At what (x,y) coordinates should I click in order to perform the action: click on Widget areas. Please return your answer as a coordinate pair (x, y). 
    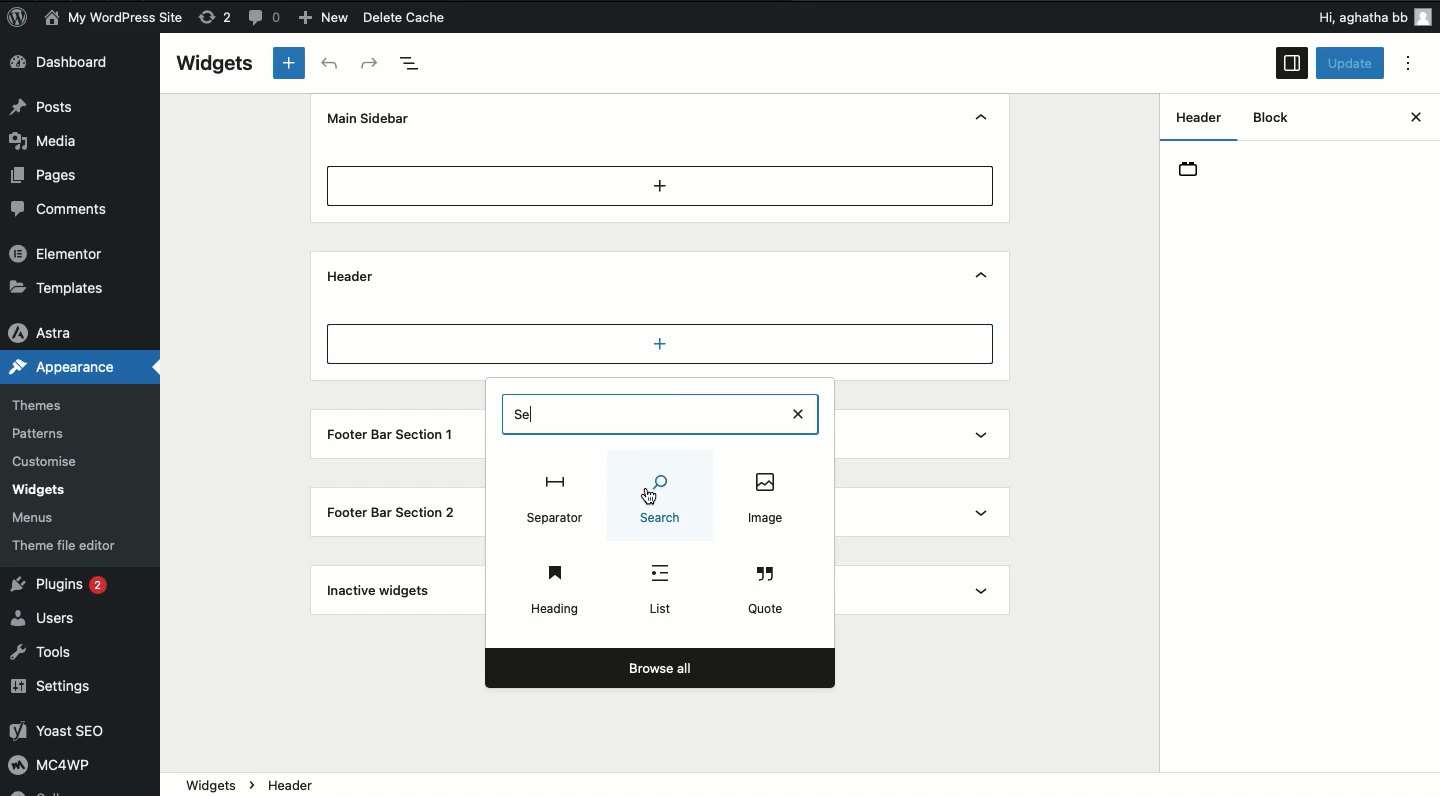
    Looking at the image, I should click on (1192, 124).